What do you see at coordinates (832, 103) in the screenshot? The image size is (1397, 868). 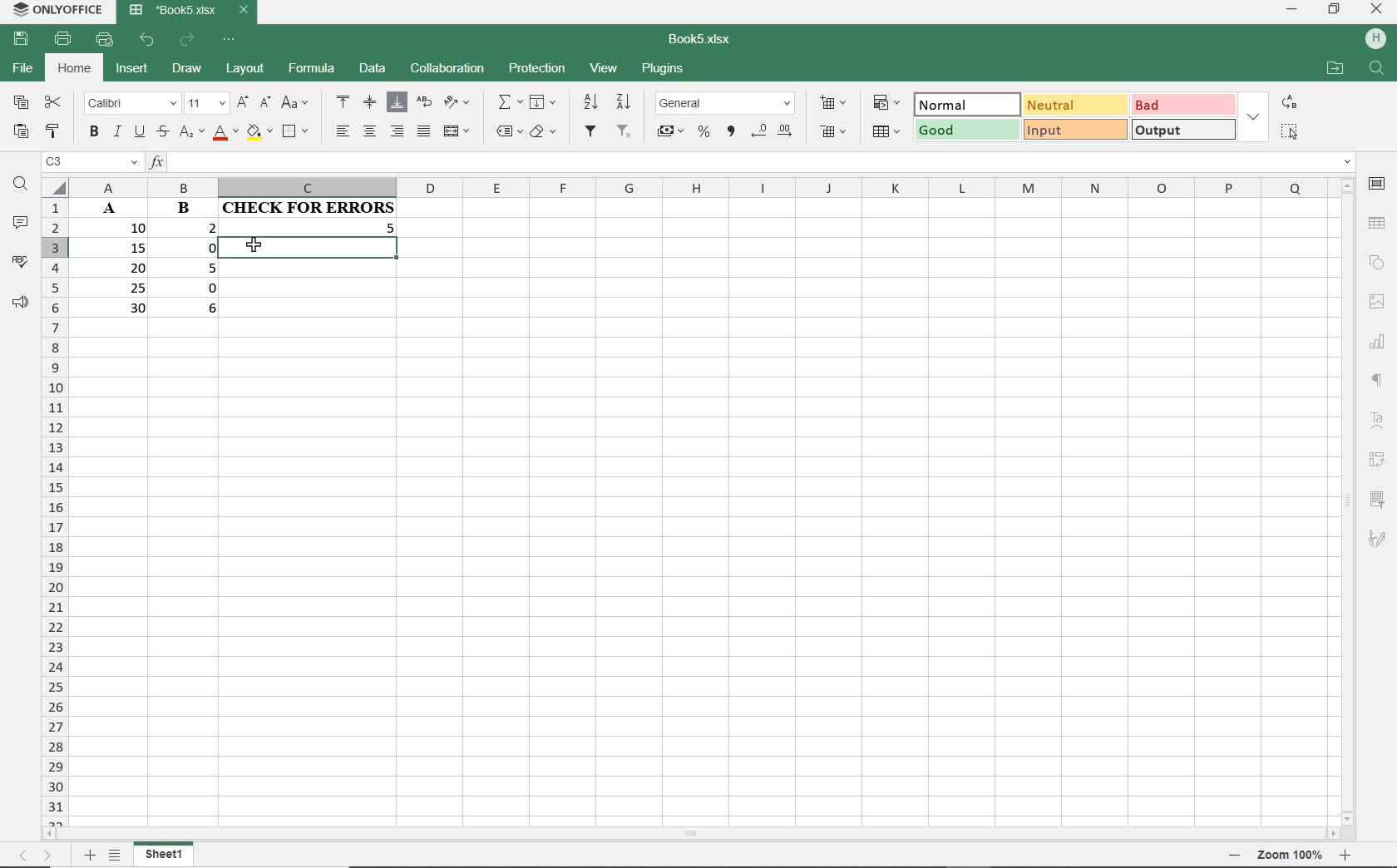 I see `INSERT CELLS` at bounding box center [832, 103].